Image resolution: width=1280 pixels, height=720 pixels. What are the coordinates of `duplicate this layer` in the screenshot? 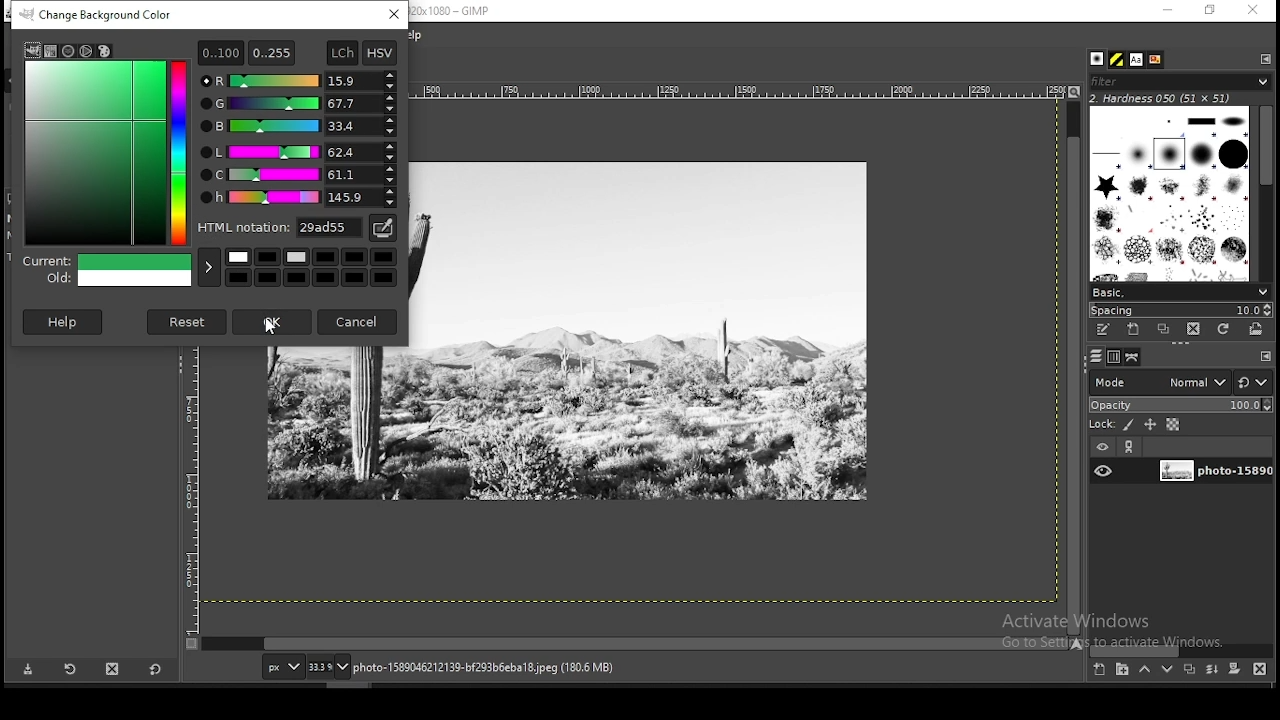 It's located at (1188, 669).